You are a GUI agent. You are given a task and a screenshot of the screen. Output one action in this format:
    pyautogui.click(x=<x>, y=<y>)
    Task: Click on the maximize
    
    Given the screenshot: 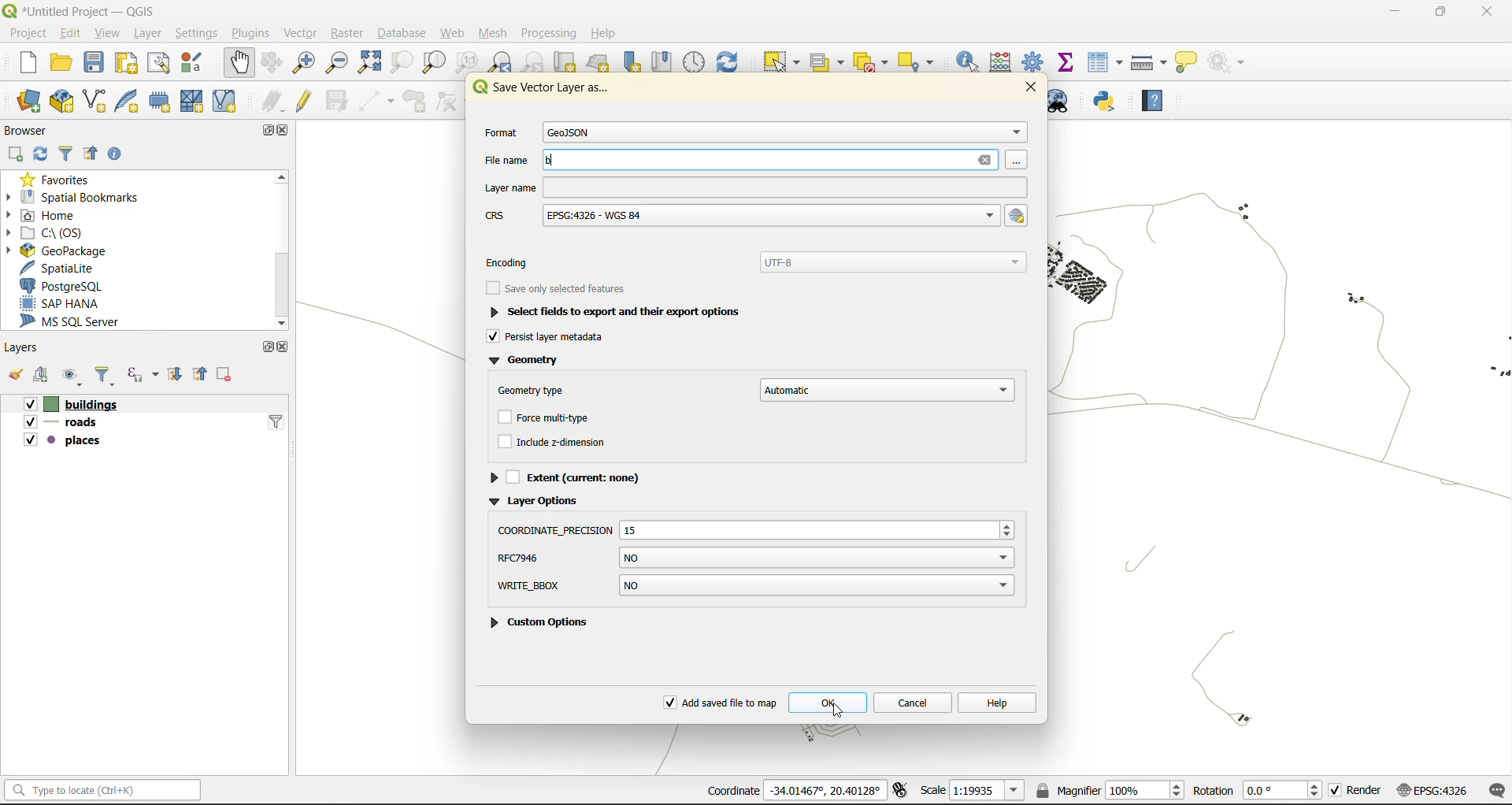 What is the action you would take?
    pyautogui.click(x=1438, y=14)
    